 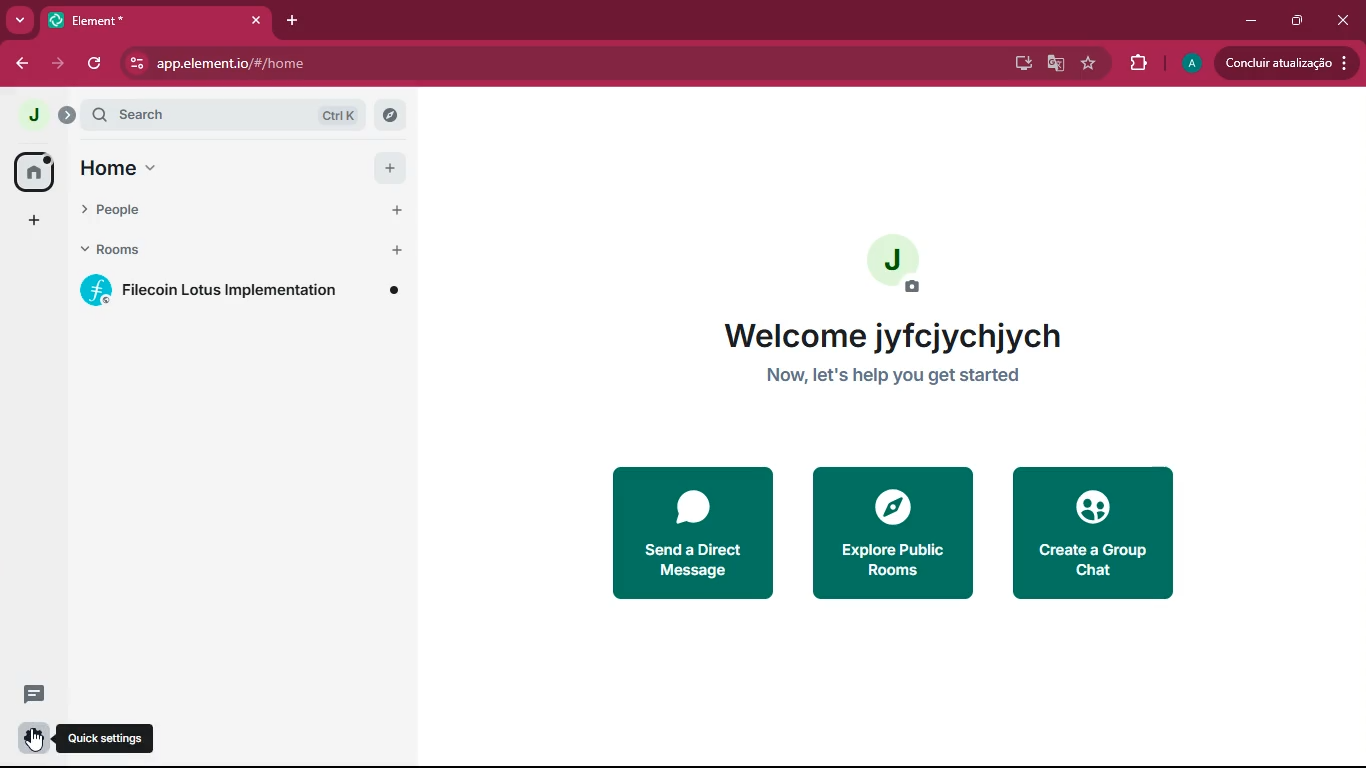 What do you see at coordinates (1021, 63) in the screenshot?
I see `desktop` at bounding box center [1021, 63].